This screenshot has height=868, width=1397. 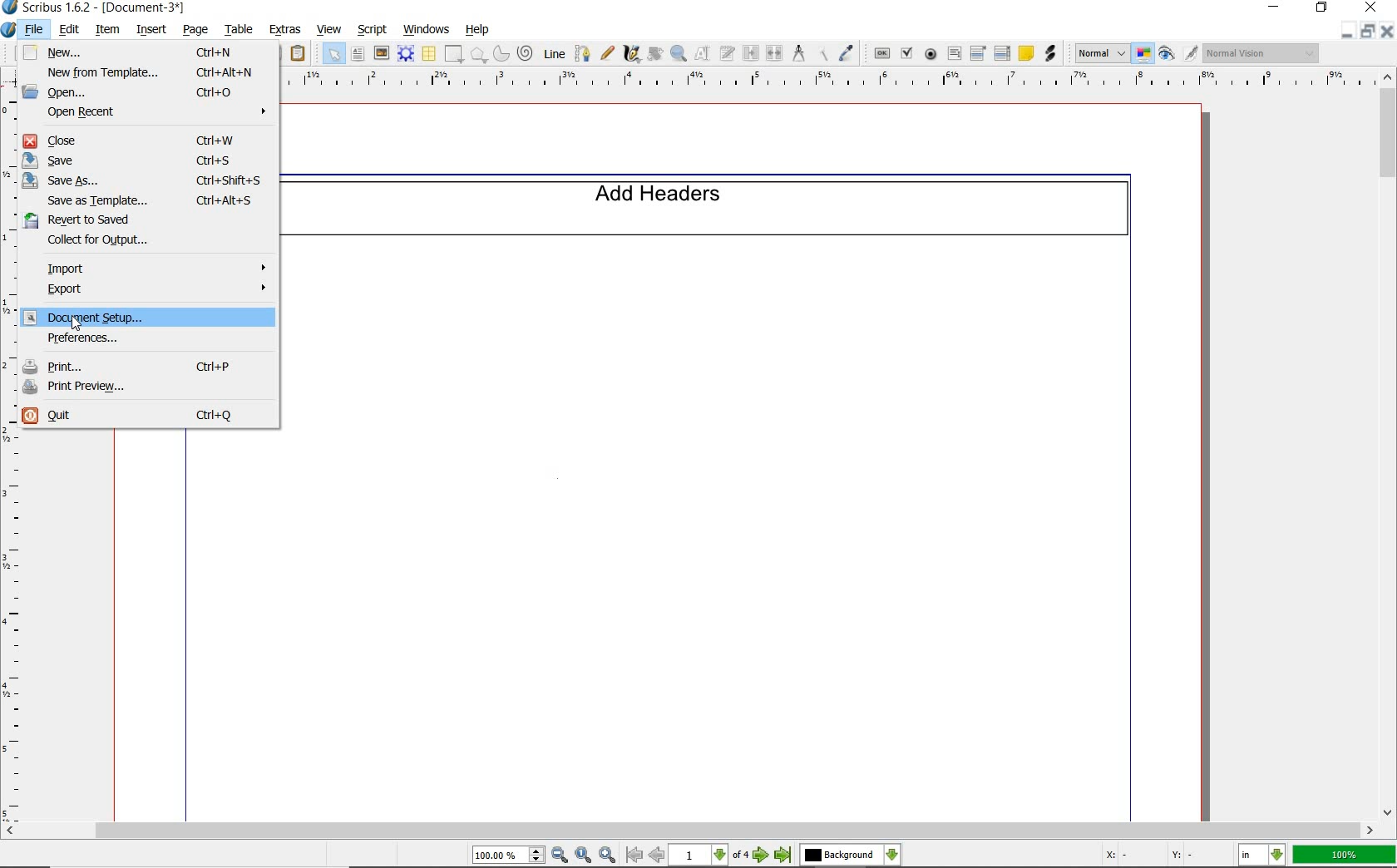 What do you see at coordinates (151, 52) in the screenshot?
I see `new` at bounding box center [151, 52].